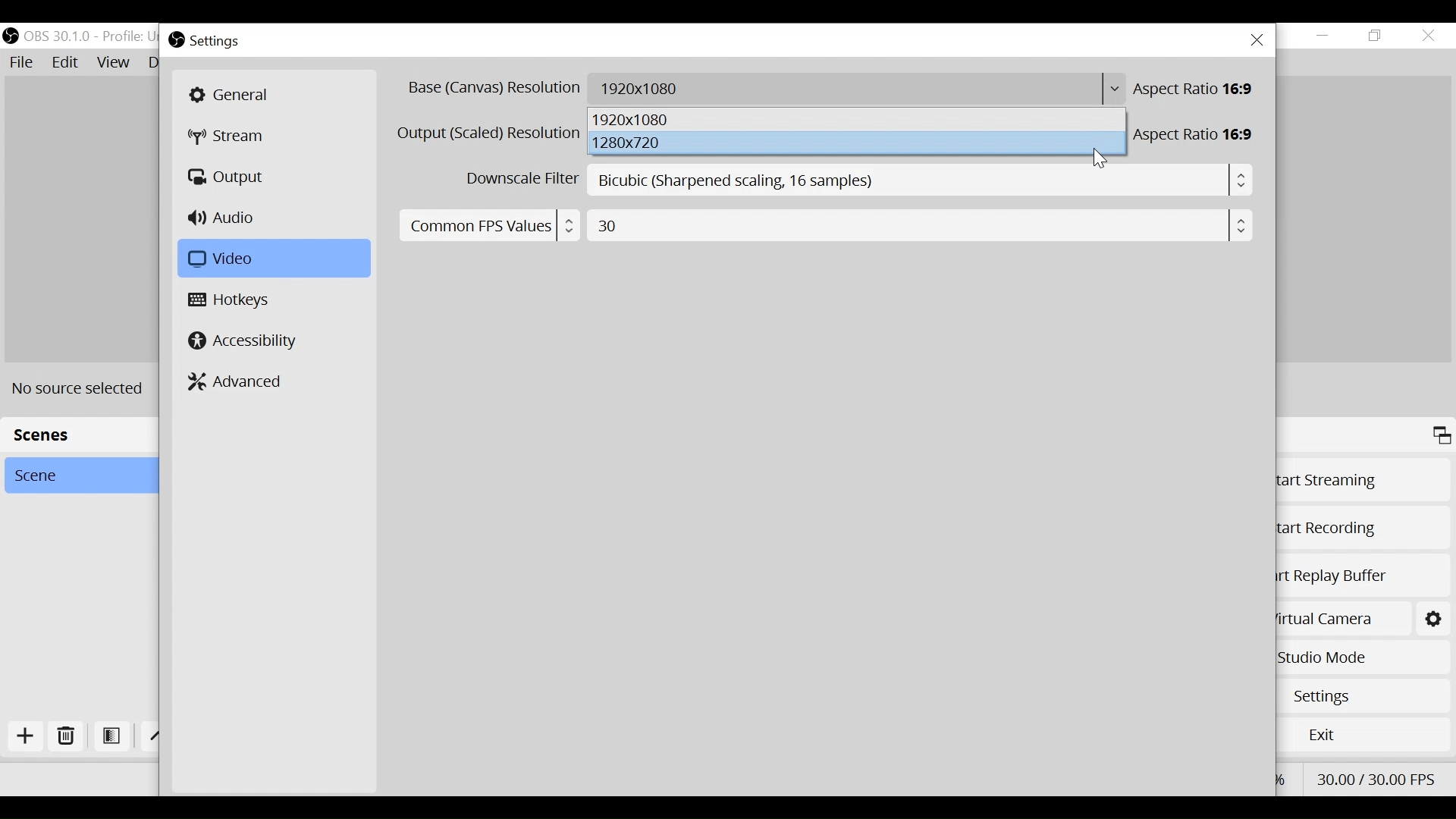 The height and width of the screenshot is (819, 1456). Describe the element at coordinates (83, 388) in the screenshot. I see `No Source Selected` at that location.